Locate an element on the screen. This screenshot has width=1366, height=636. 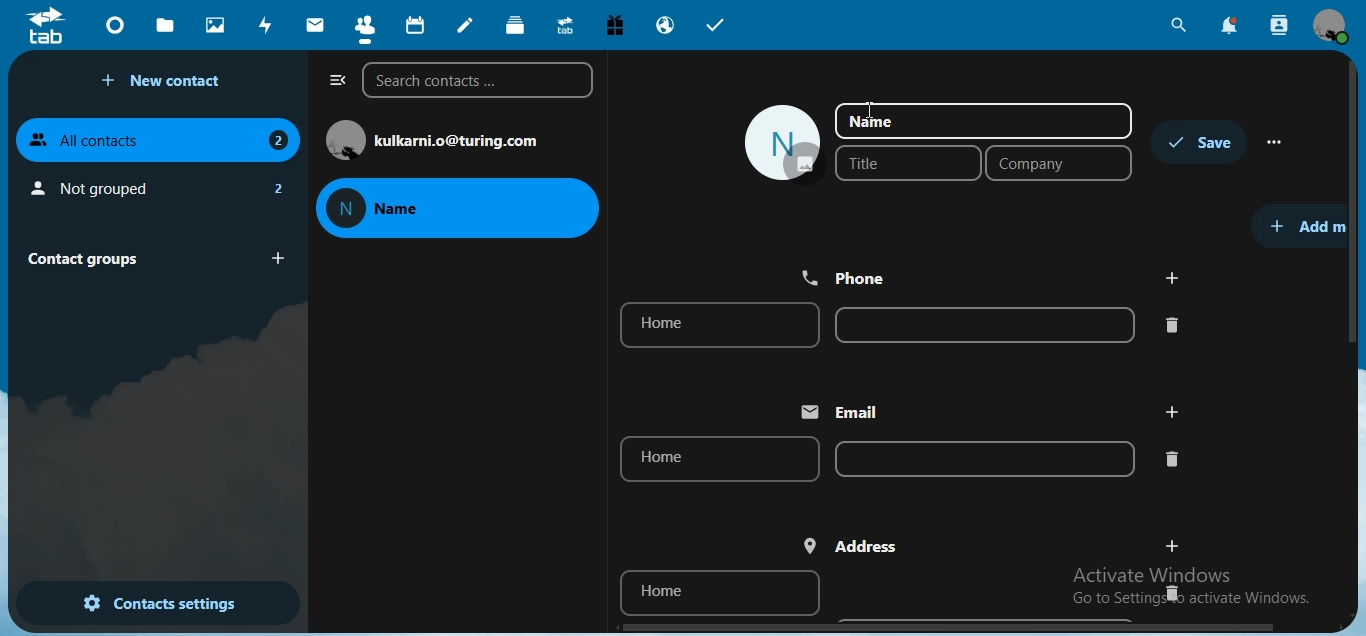
home is located at coordinates (715, 326).